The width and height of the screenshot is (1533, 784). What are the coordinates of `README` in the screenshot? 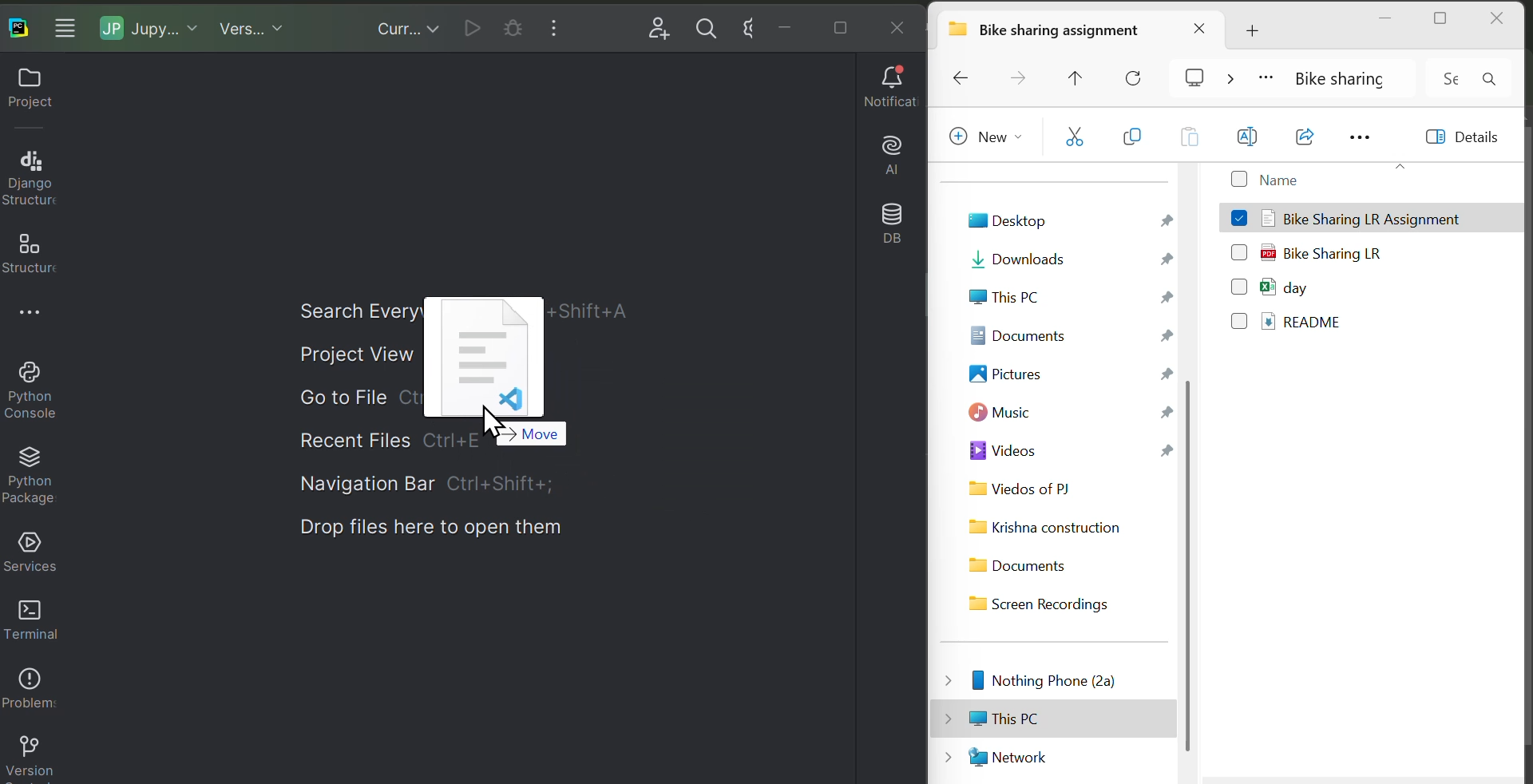 It's located at (1308, 327).